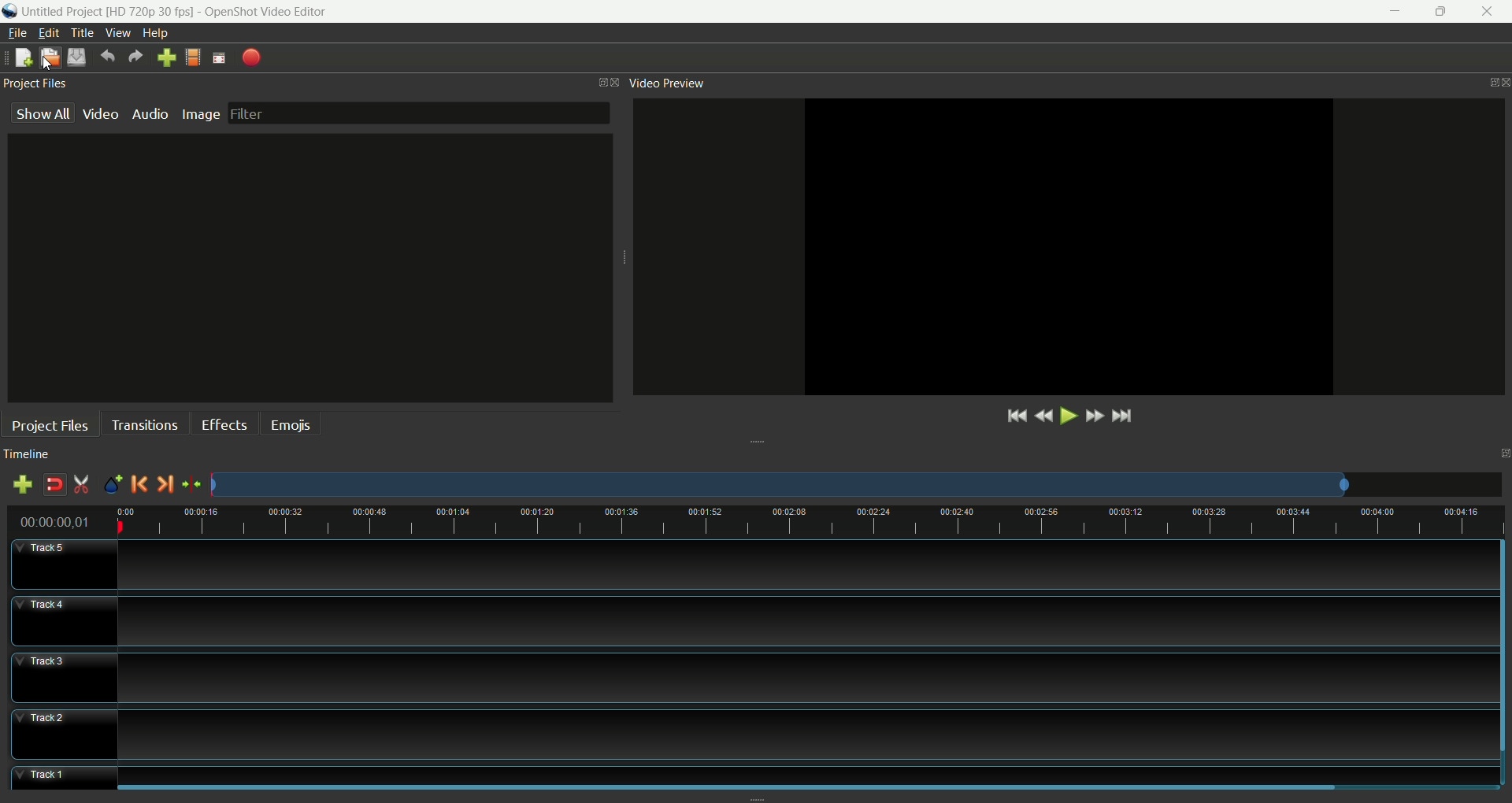 Image resolution: width=1512 pixels, height=803 pixels. What do you see at coordinates (39, 112) in the screenshot?
I see `show all` at bounding box center [39, 112].